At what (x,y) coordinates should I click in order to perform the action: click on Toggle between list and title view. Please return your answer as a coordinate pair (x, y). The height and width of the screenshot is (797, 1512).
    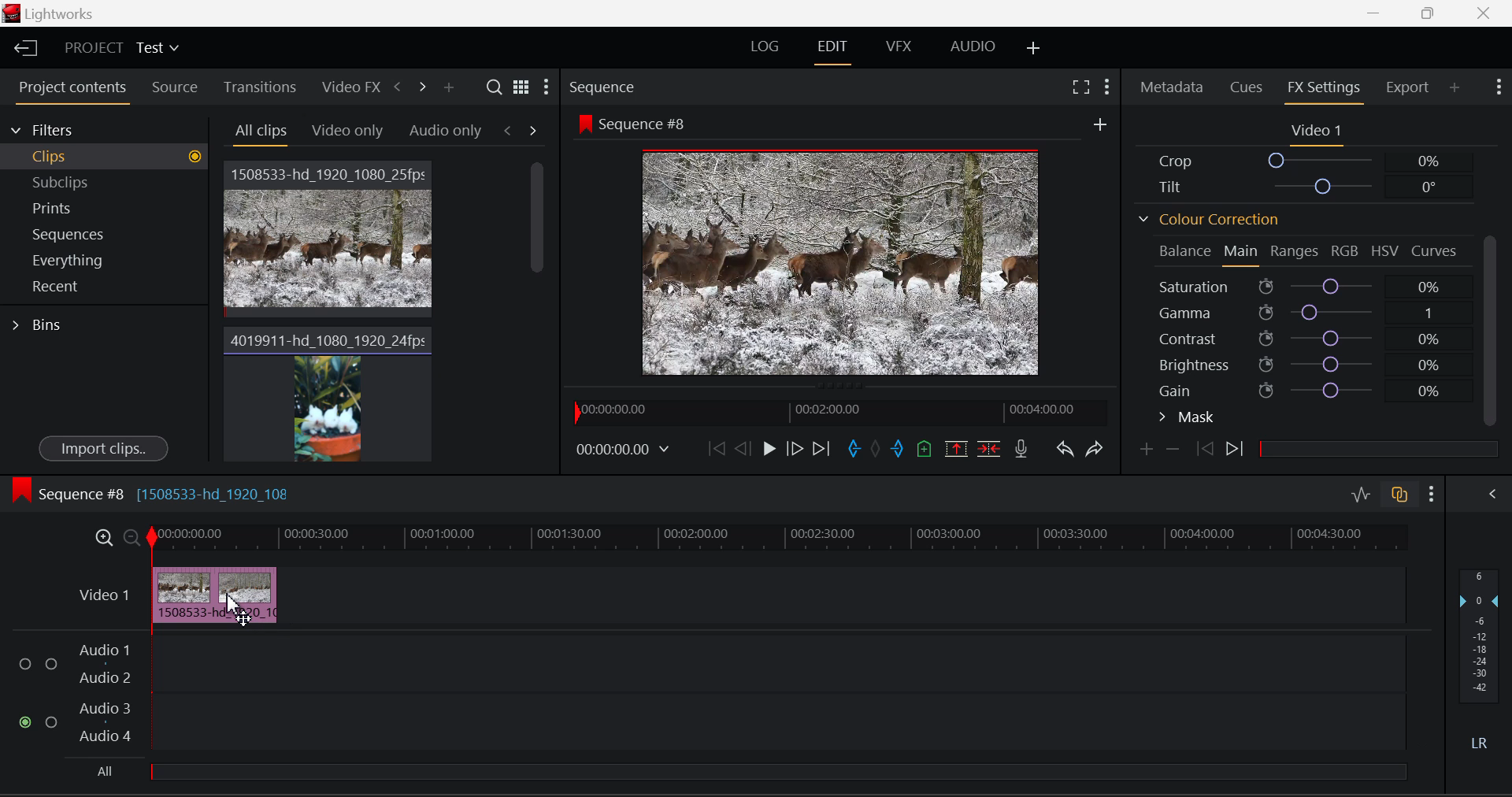
    Looking at the image, I should click on (523, 87).